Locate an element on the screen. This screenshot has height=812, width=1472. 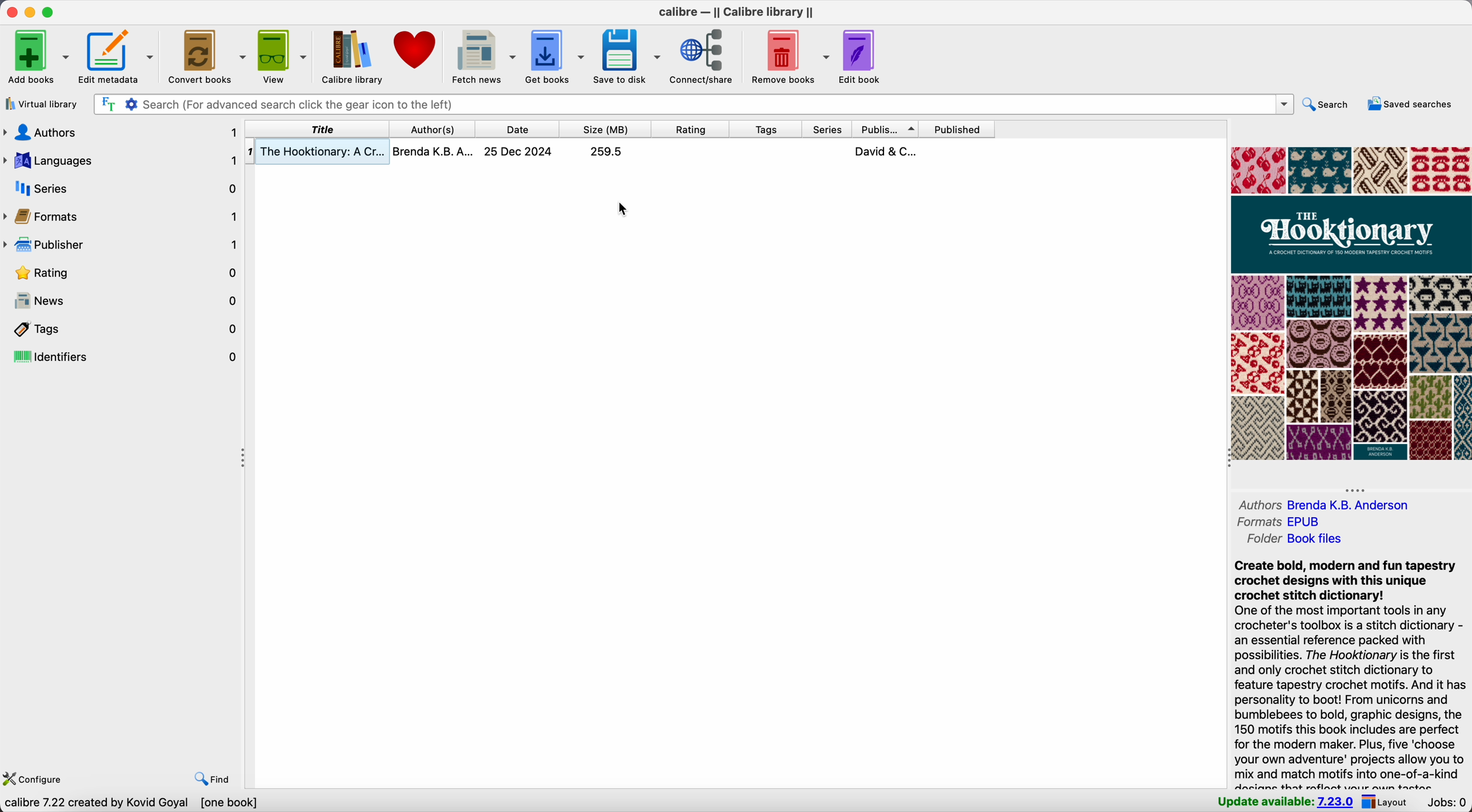
The Hooktion : A cr is located at coordinates (317, 151).